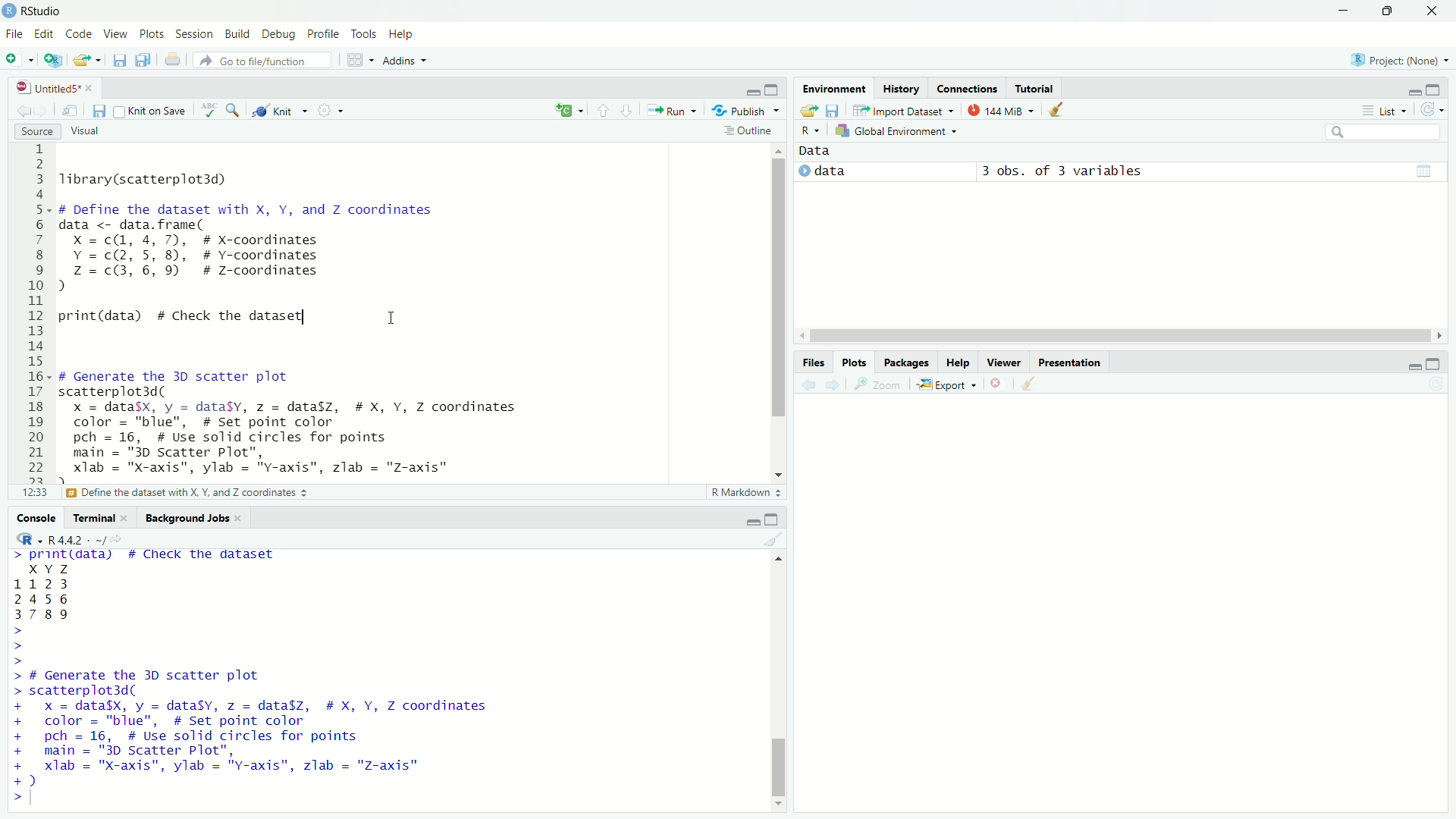  What do you see at coordinates (1063, 170) in the screenshot?
I see `3 obs. of 3 variables` at bounding box center [1063, 170].